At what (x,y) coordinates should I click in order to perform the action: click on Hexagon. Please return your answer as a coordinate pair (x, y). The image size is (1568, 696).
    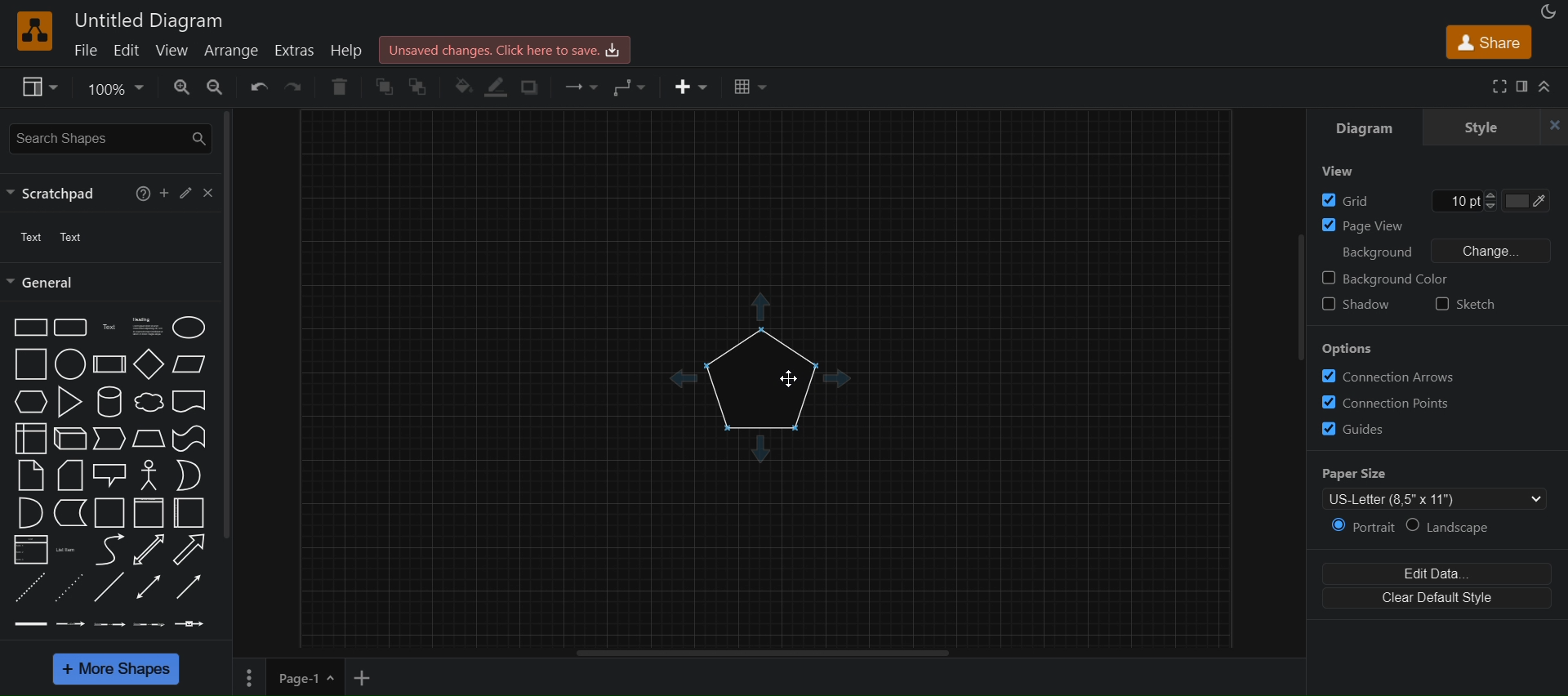
    Looking at the image, I should click on (31, 402).